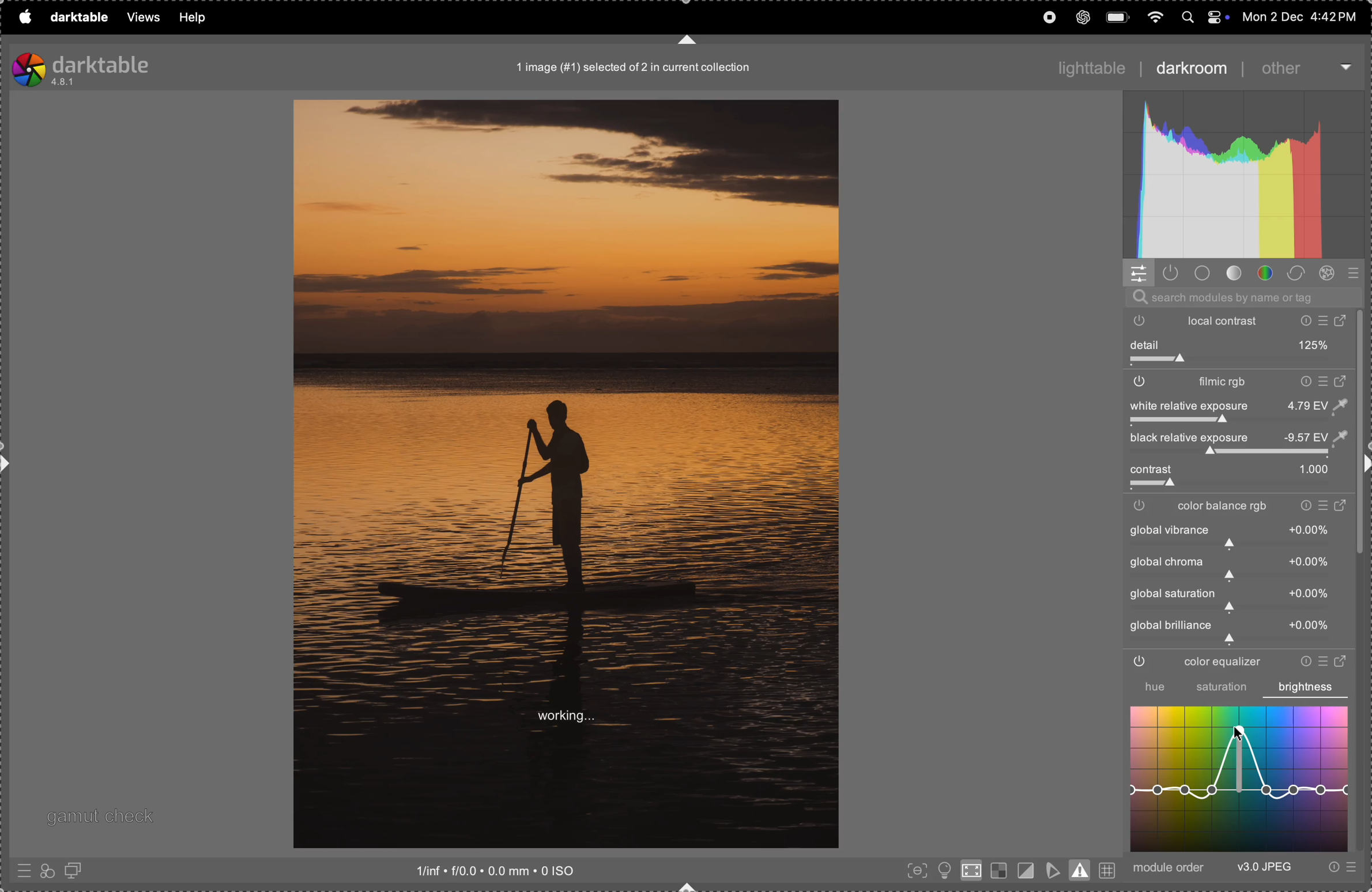  I want to click on color bar, so click(1243, 507).